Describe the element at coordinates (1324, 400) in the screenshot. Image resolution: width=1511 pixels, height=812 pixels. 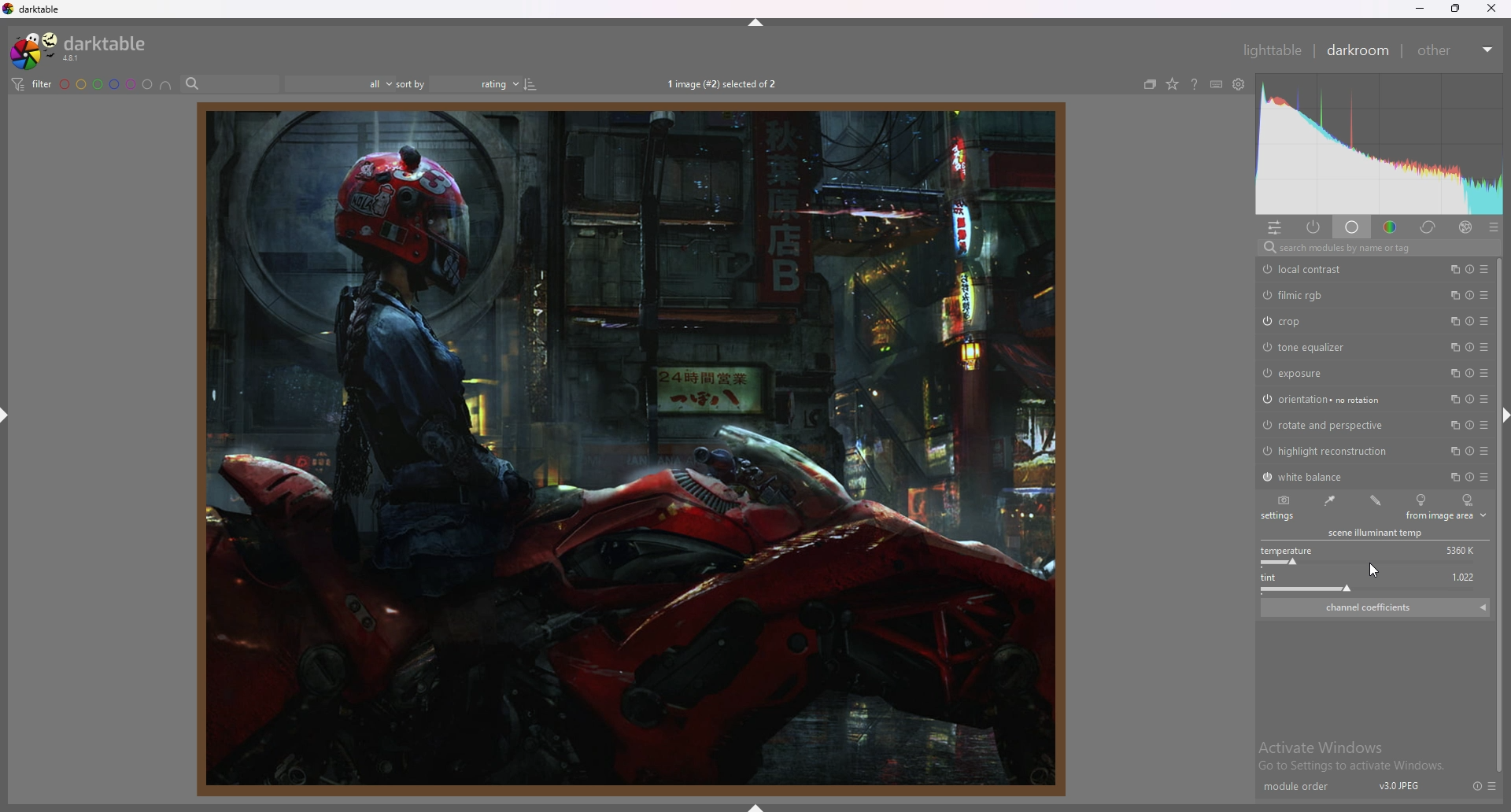
I see `orientation` at that location.